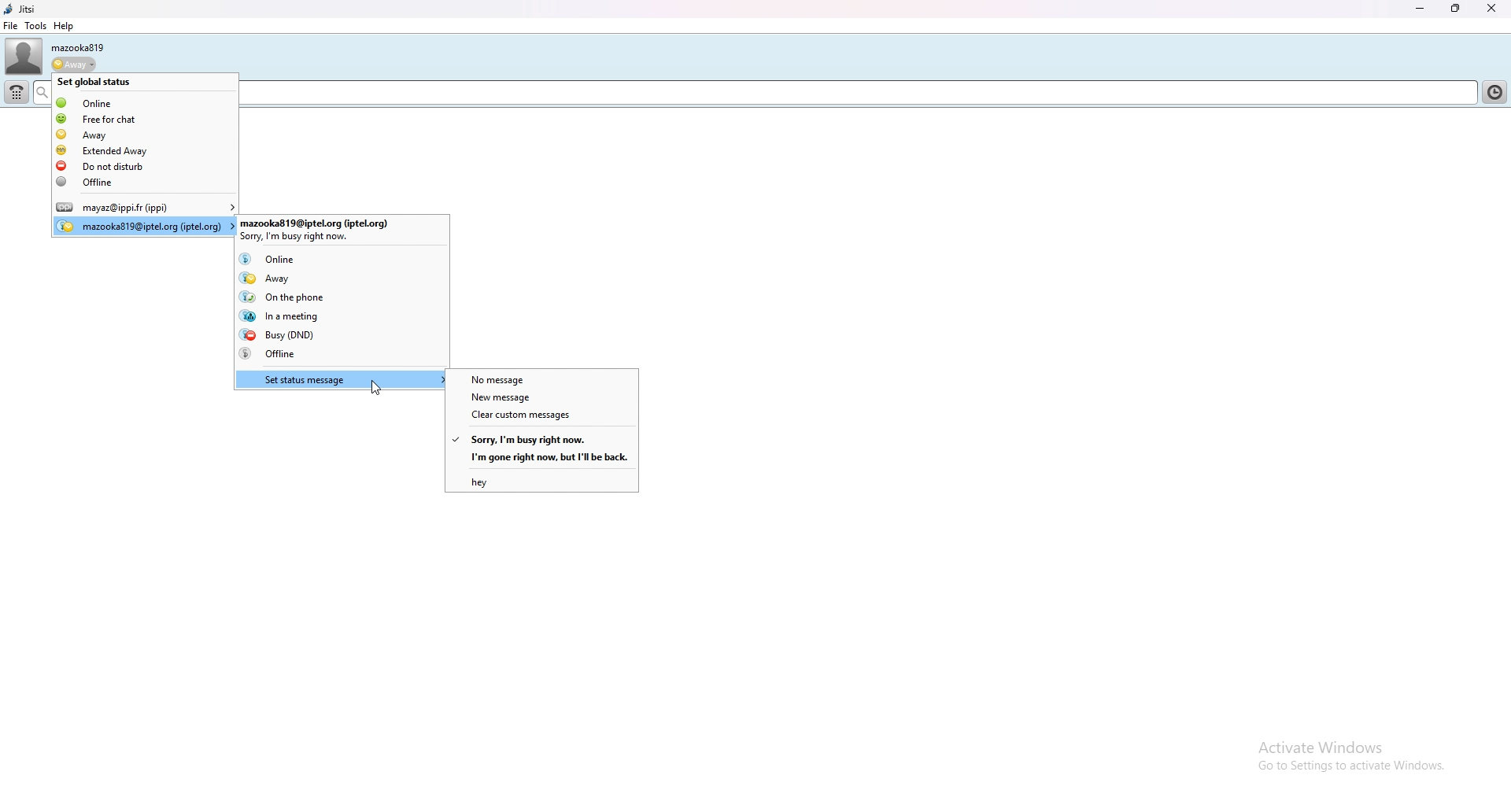  Describe the element at coordinates (541, 458) in the screenshot. I see `i'm gone right now.but i'll be back.` at that location.